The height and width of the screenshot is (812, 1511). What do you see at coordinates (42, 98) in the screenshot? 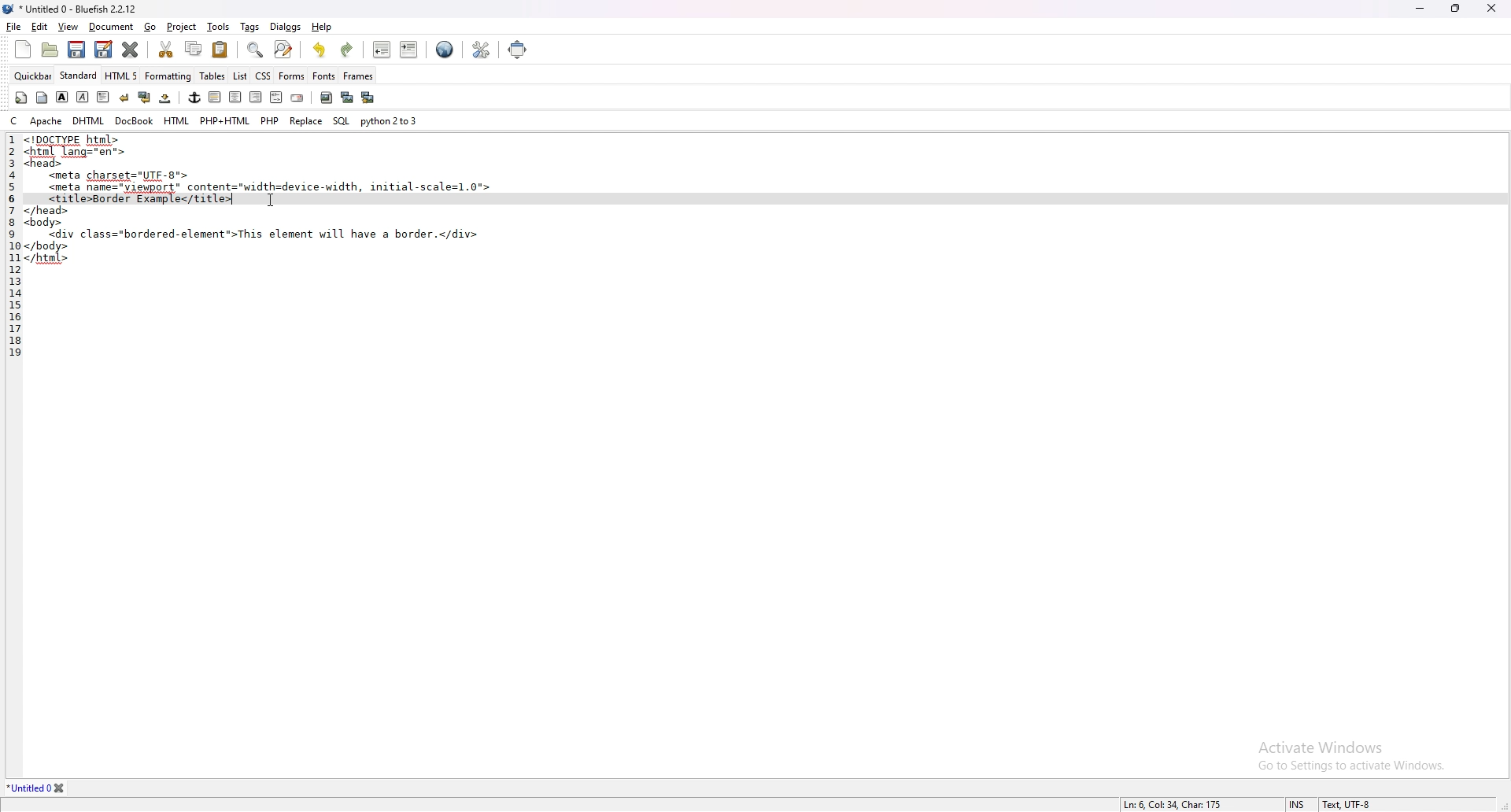
I see `body` at bounding box center [42, 98].